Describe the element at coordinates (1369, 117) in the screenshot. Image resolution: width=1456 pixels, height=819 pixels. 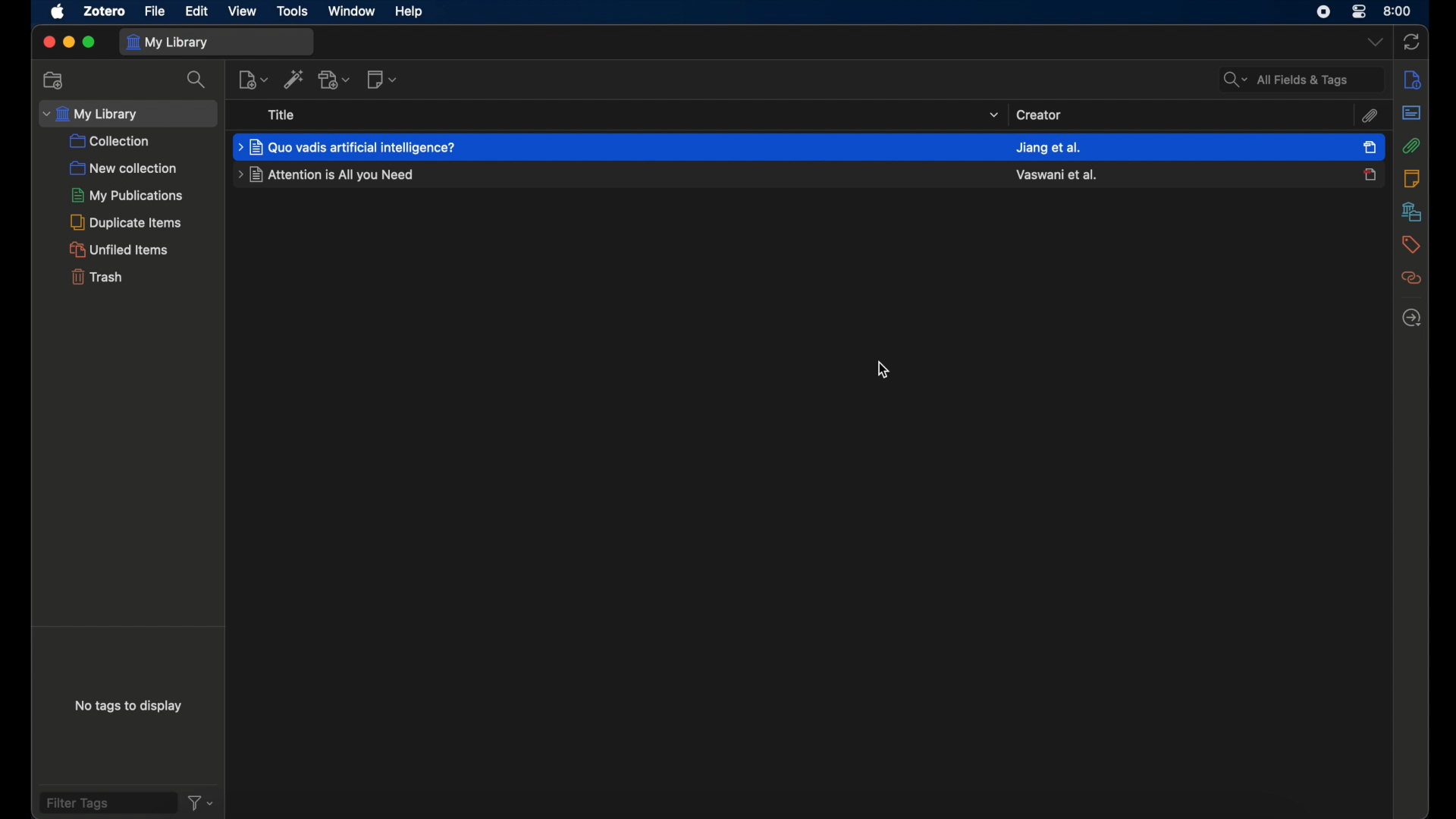
I see `attachments` at that location.